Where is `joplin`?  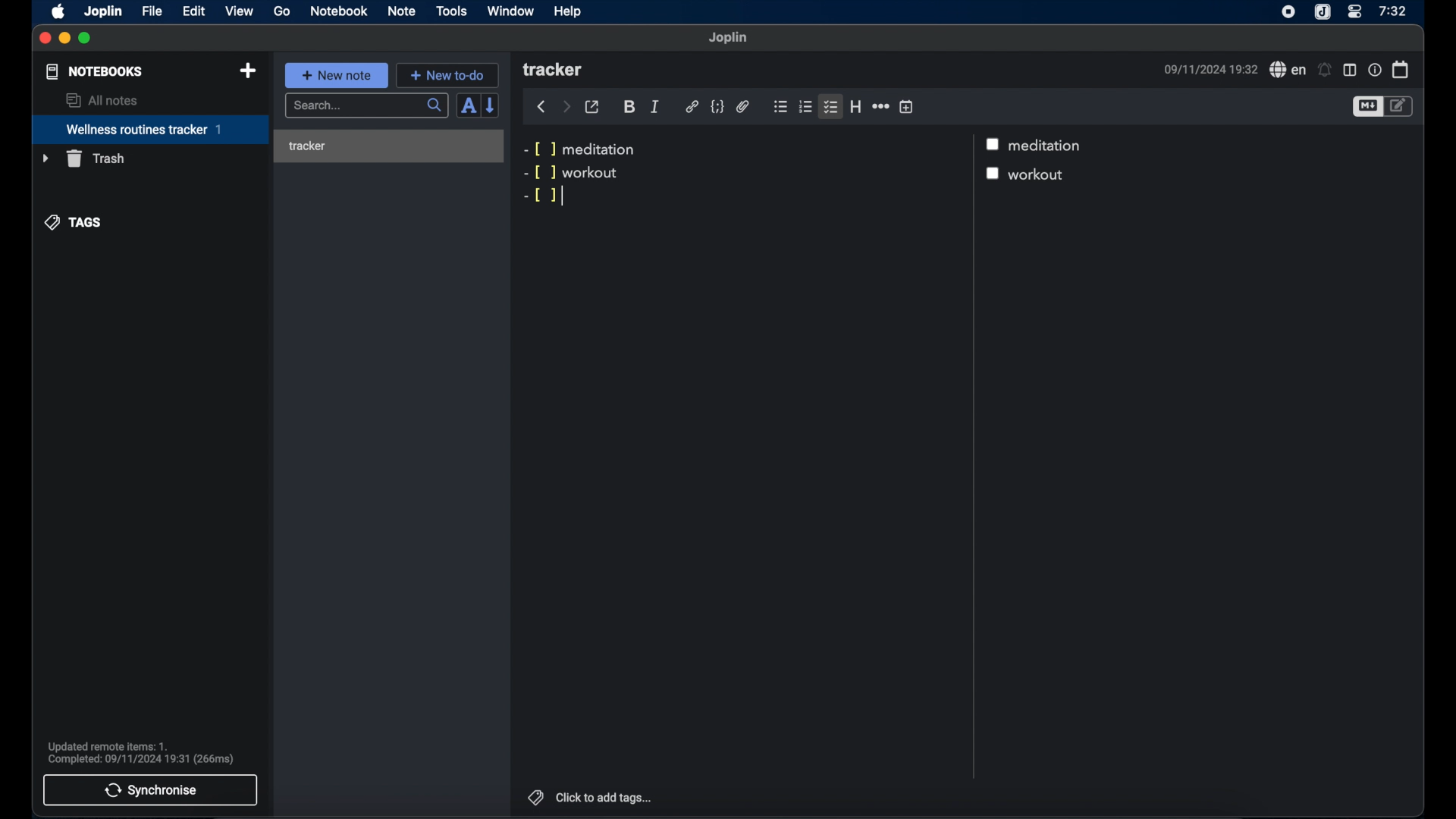 joplin is located at coordinates (729, 38).